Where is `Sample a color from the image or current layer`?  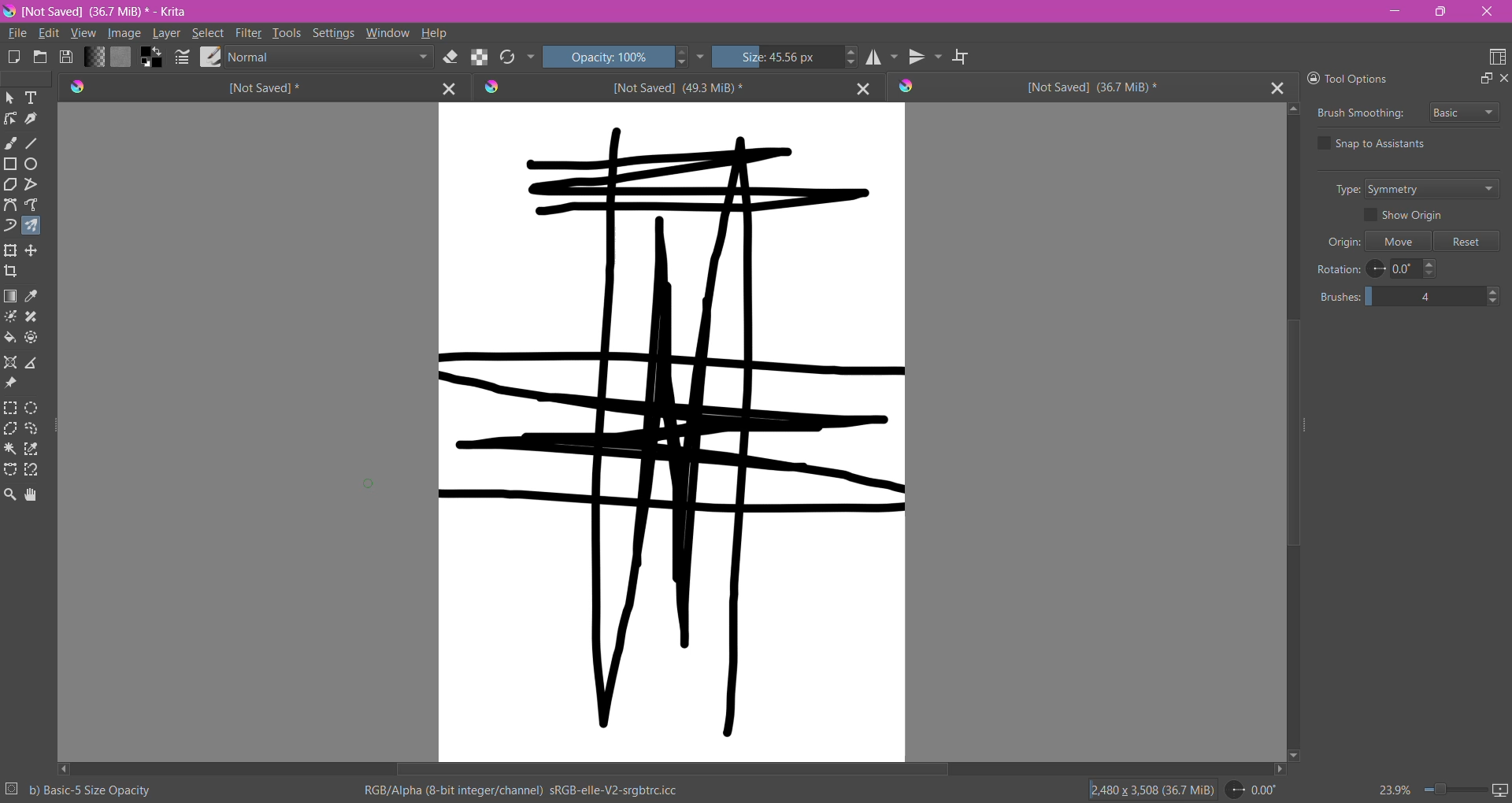
Sample a color from the image or current layer is located at coordinates (35, 296).